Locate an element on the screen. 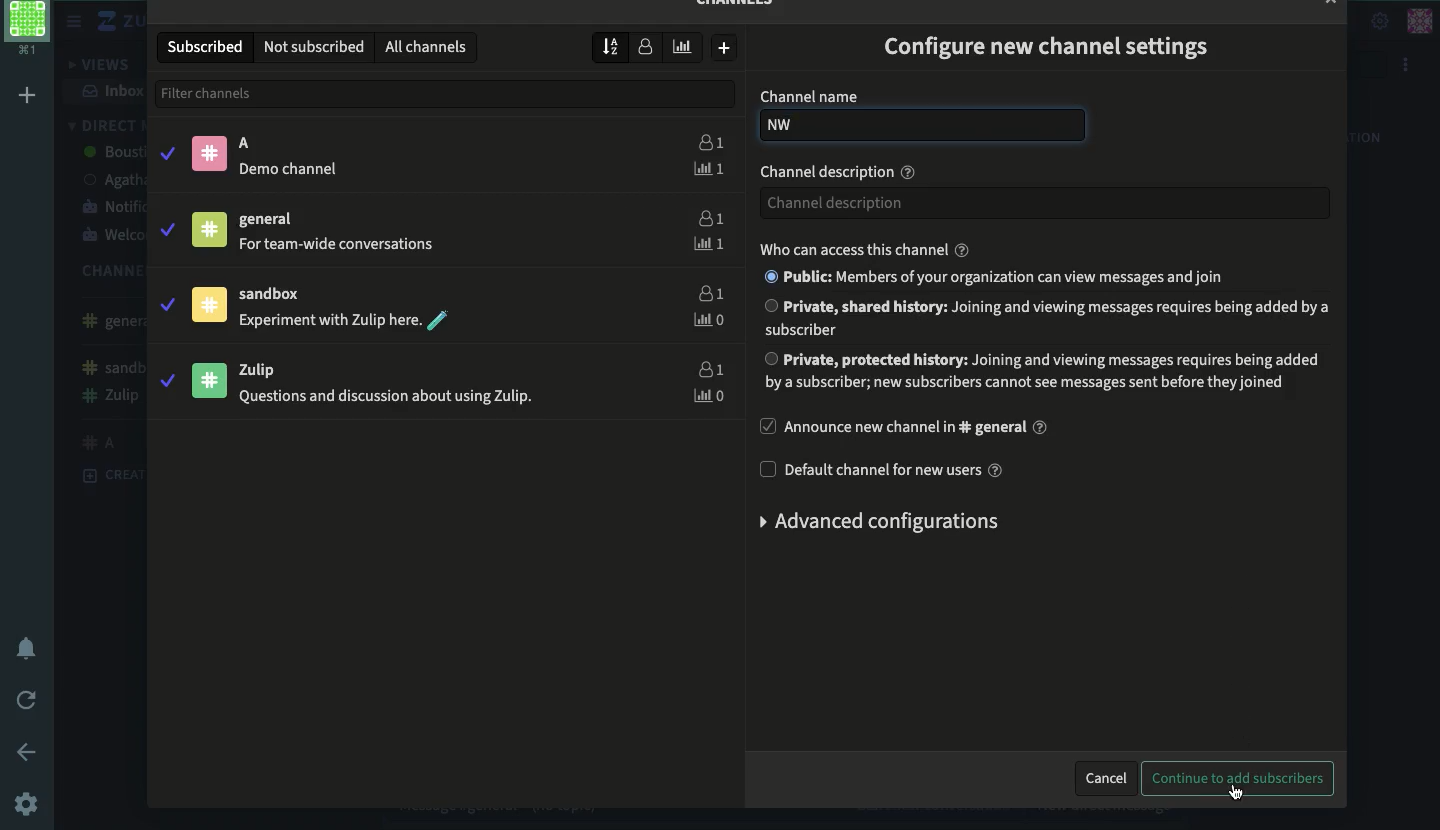  ® Demo channel is located at coordinates (294, 169).